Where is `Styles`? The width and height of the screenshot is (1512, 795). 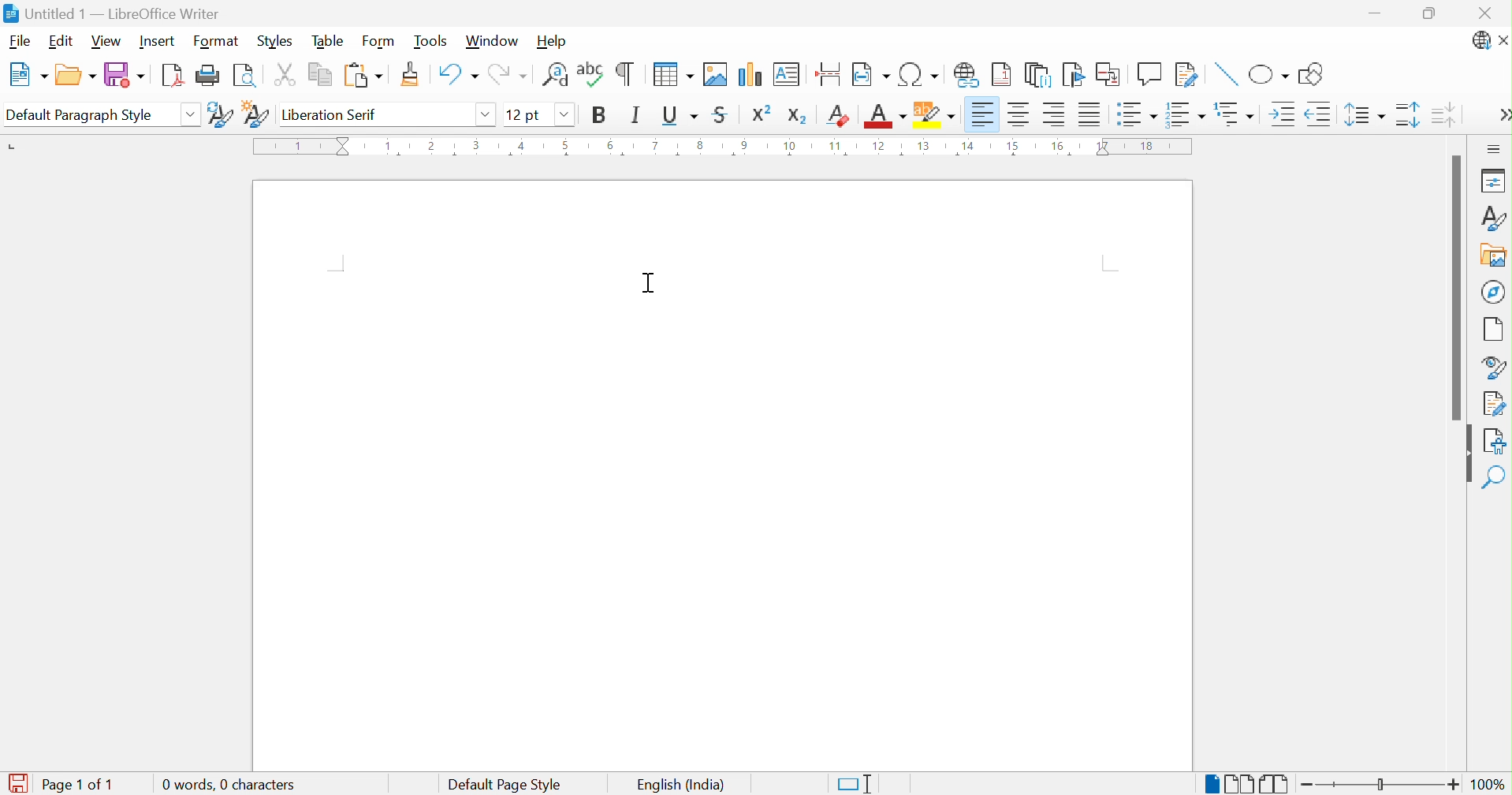 Styles is located at coordinates (1495, 219).